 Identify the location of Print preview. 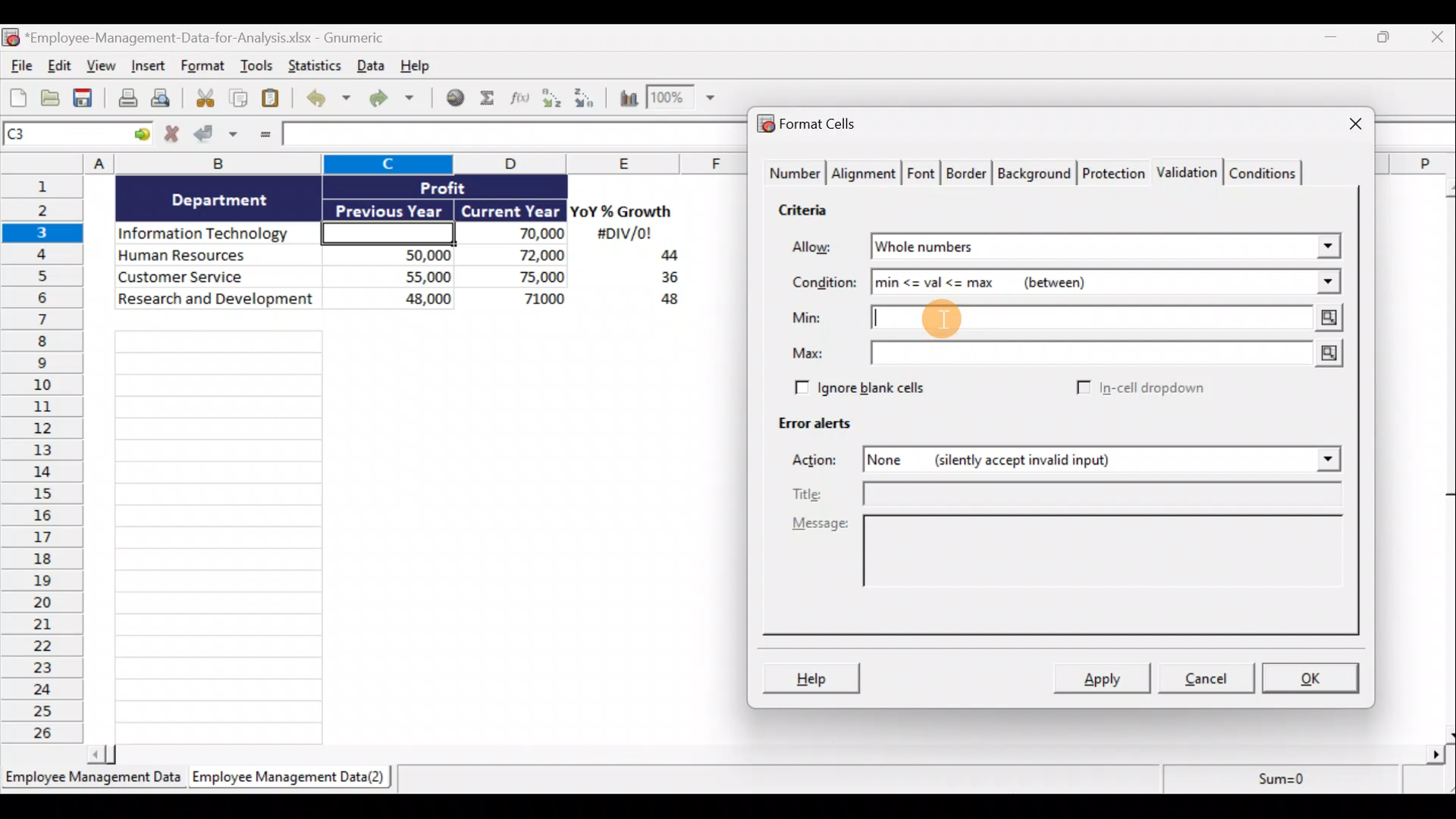
(169, 102).